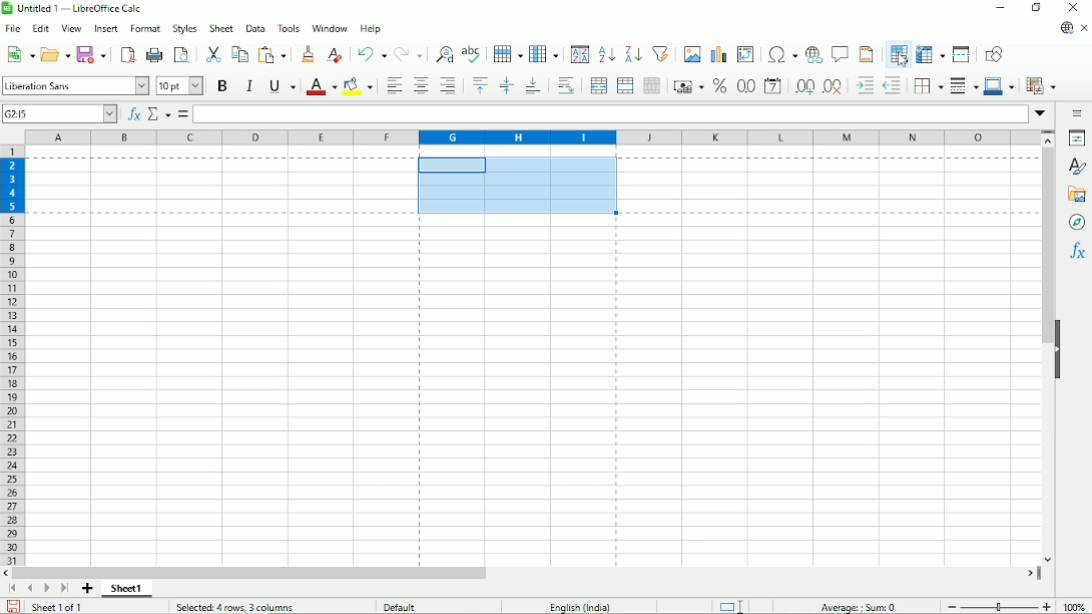 This screenshot has width=1092, height=614. Describe the element at coordinates (599, 87) in the screenshot. I see `Merge and center` at that location.